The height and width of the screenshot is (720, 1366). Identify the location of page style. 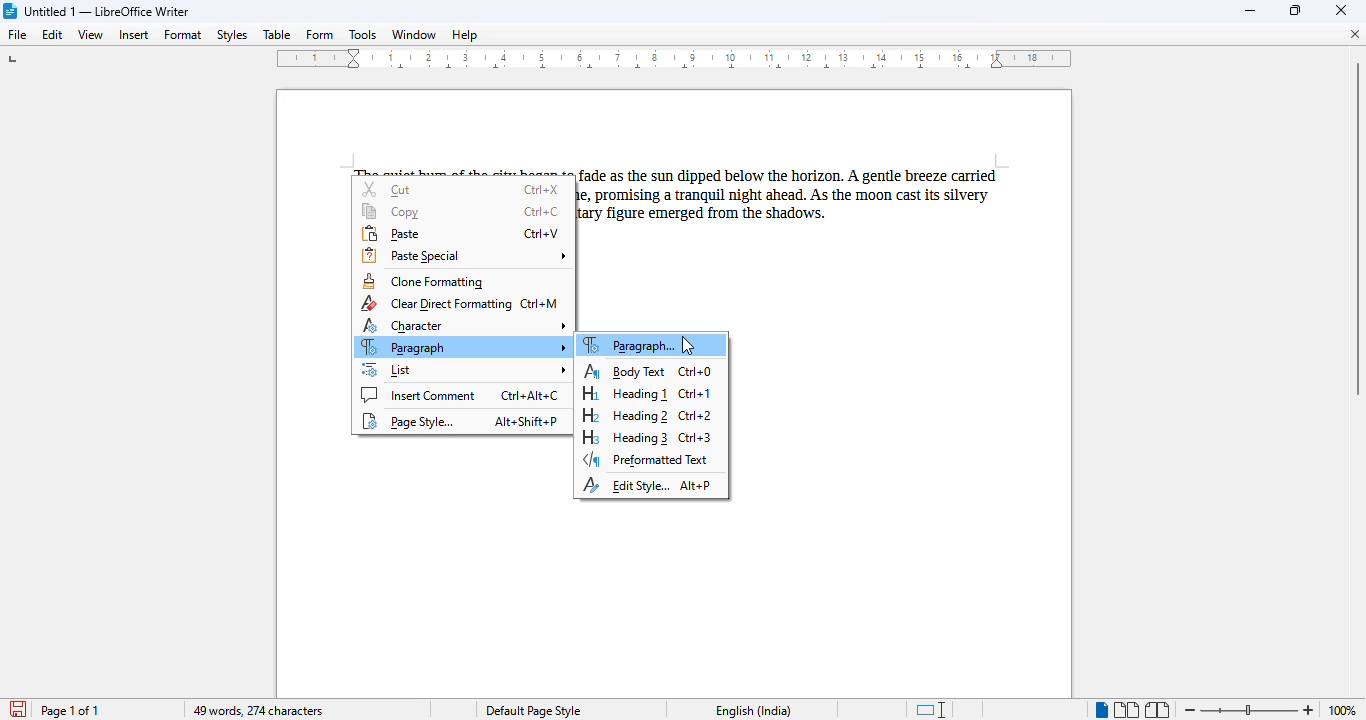
(461, 421).